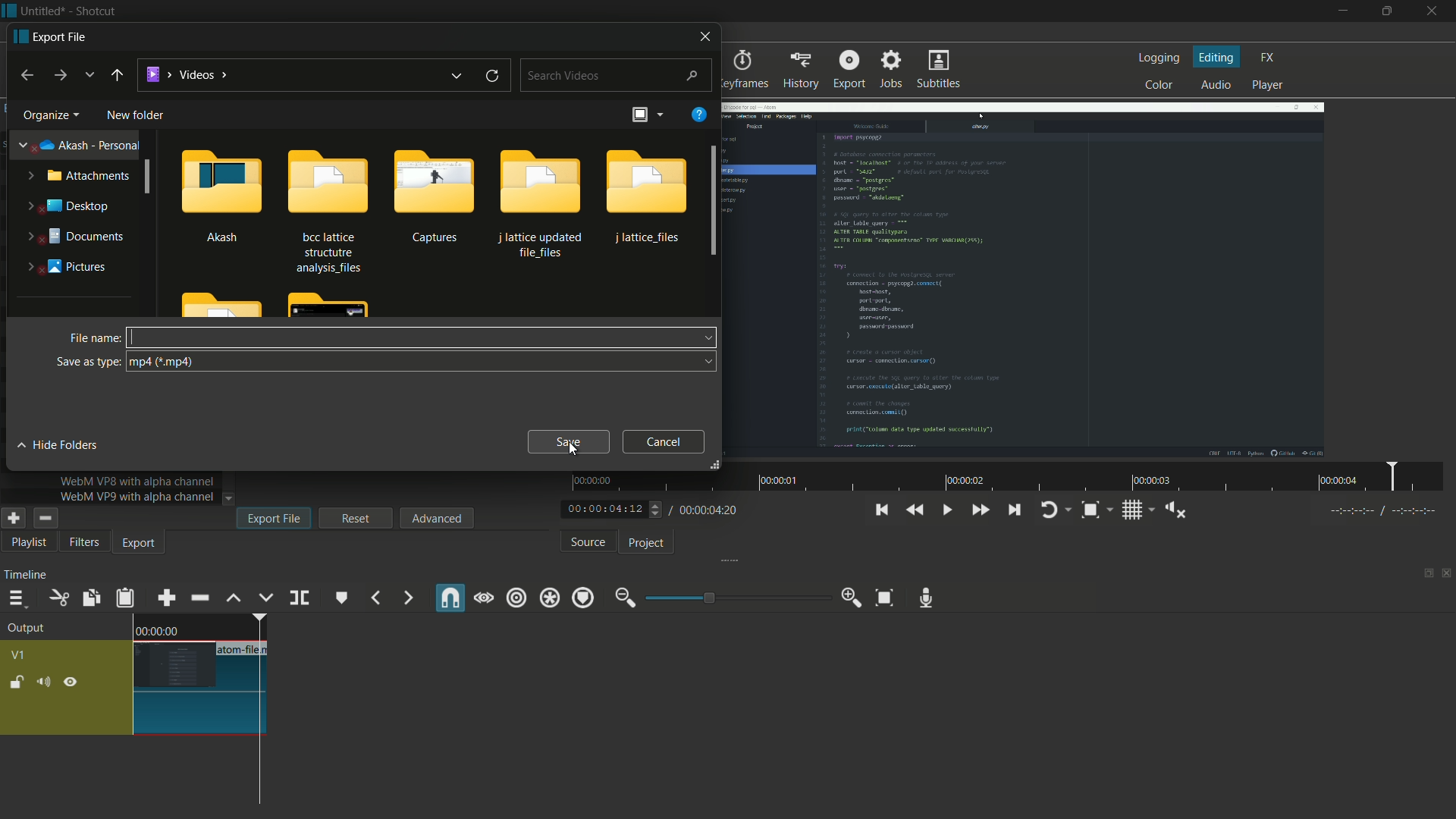 This screenshot has height=819, width=1456. What do you see at coordinates (49, 115) in the screenshot?
I see `organize` at bounding box center [49, 115].